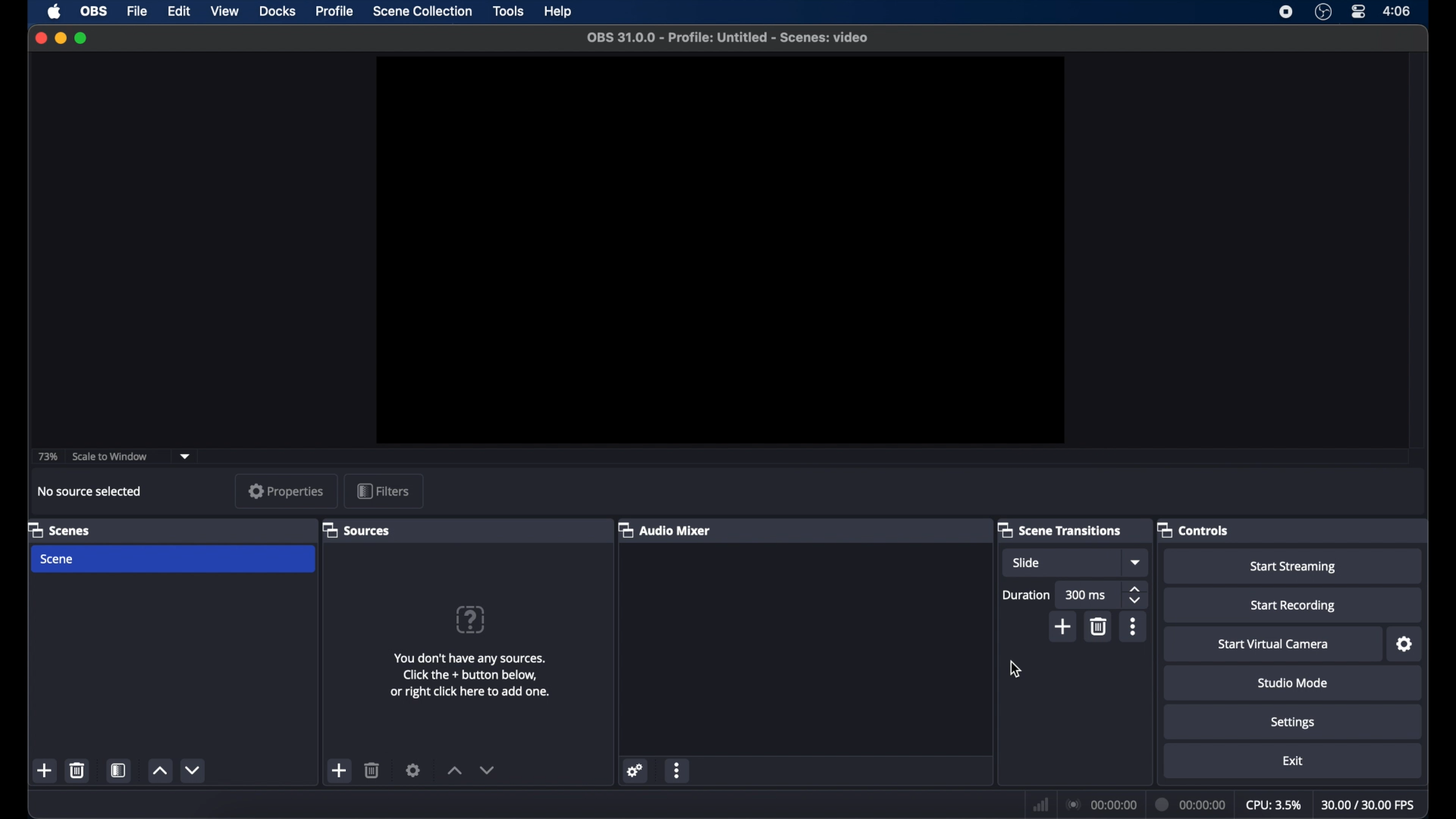 This screenshot has height=819, width=1456. What do you see at coordinates (1405, 645) in the screenshot?
I see `settings` at bounding box center [1405, 645].